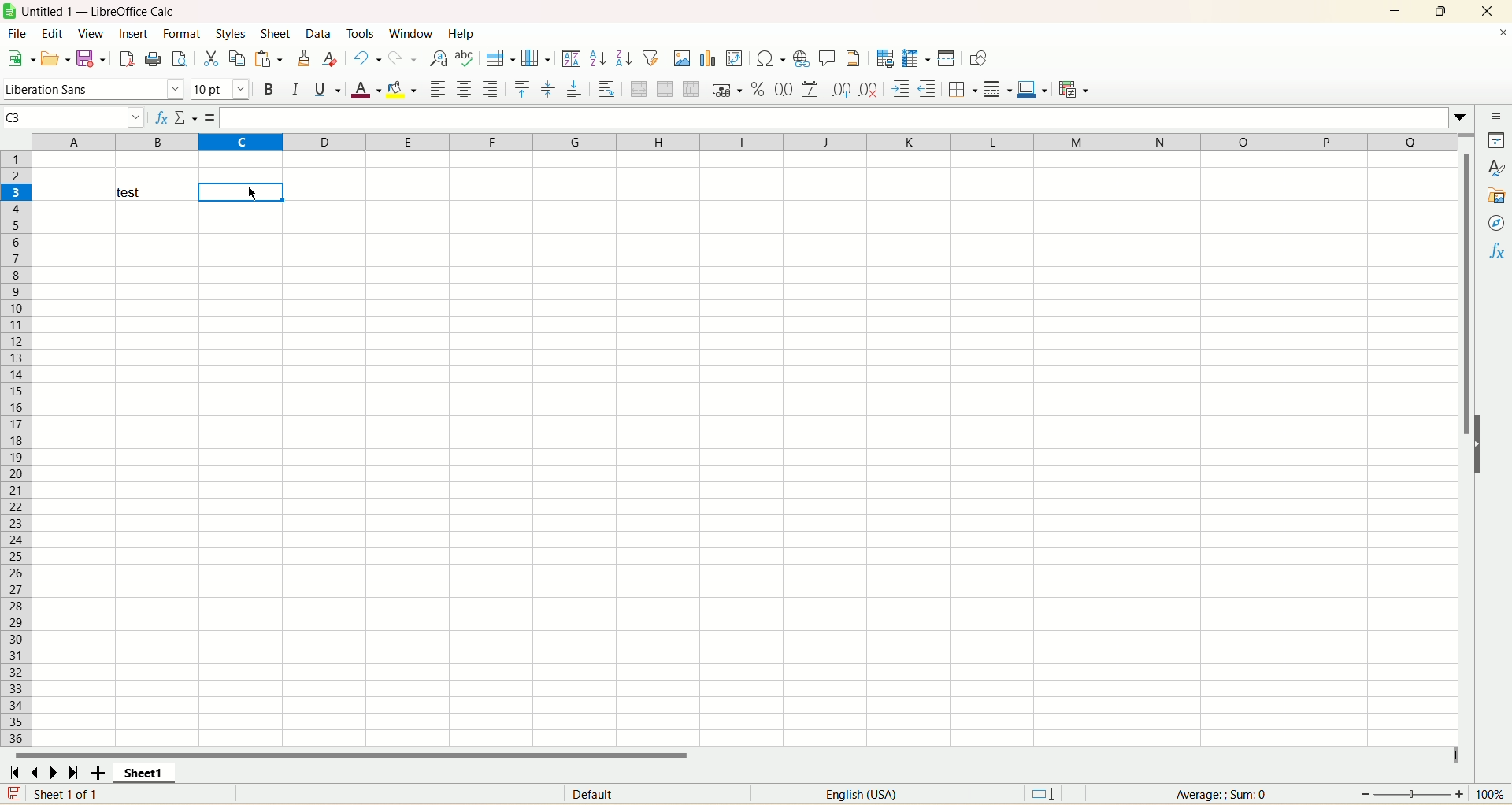  What do you see at coordinates (90, 59) in the screenshot?
I see `save` at bounding box center [90, 59].